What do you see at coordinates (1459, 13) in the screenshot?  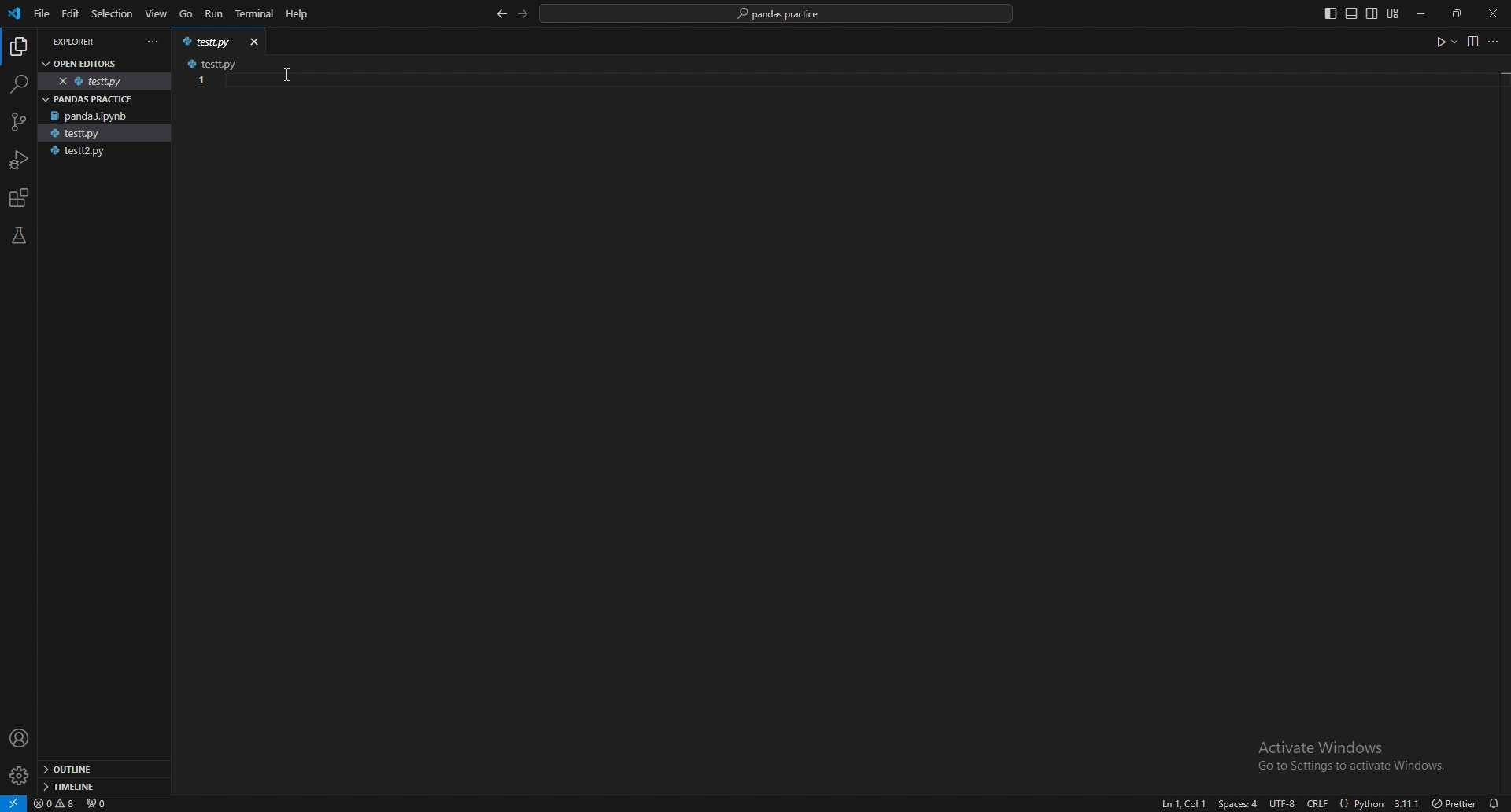 I see `resize` at bounding box center [1459, 13].